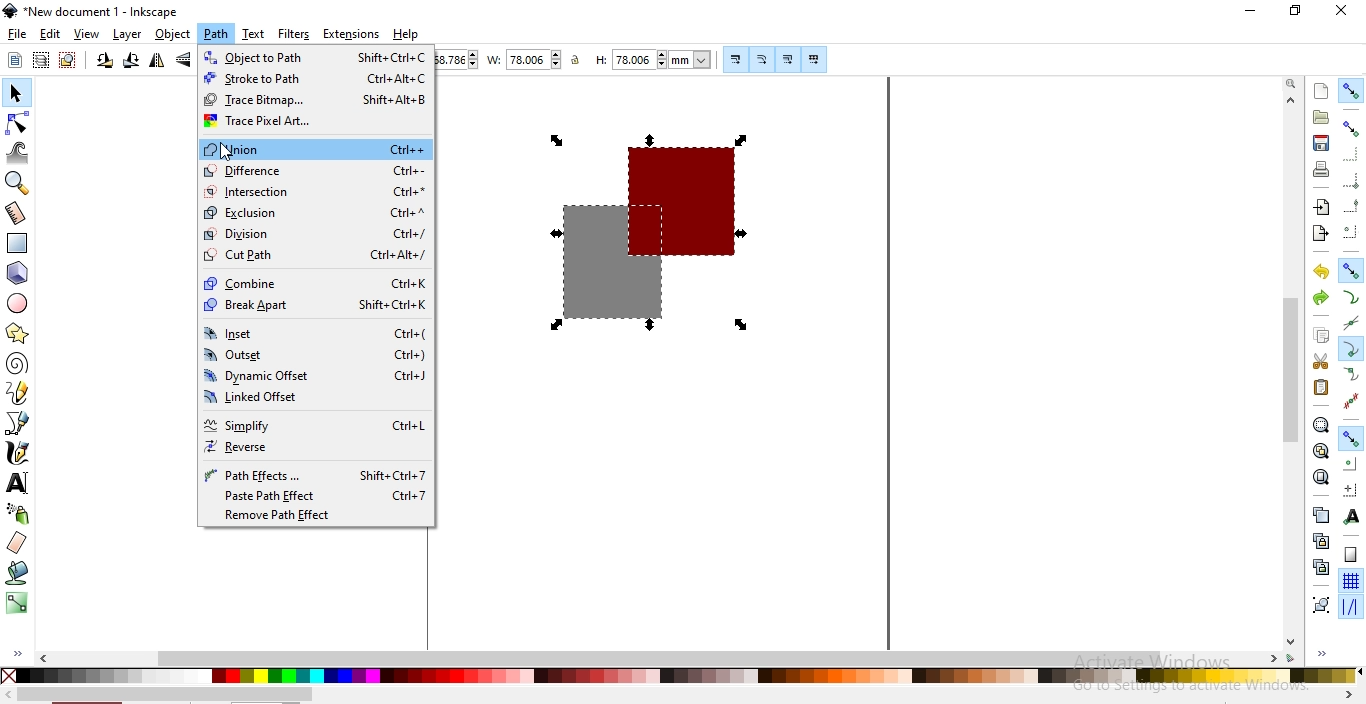 The width and height of the screenshot is (1366, 704). What do you see at coordinates (315, 150) in the screenshot?
I see `union` at bounding box center [315, 150].